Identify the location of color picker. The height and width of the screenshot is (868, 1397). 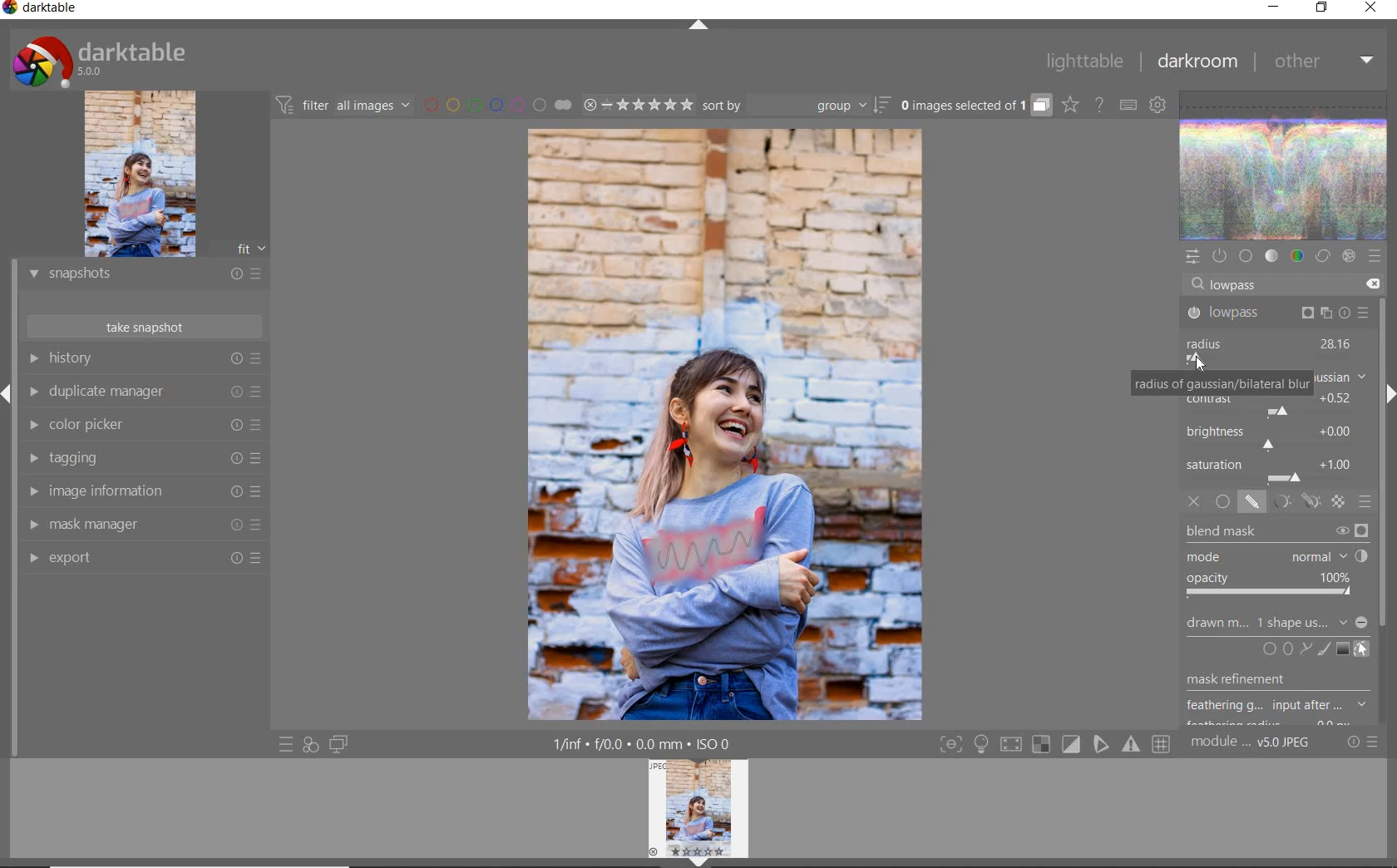
(141, 427).